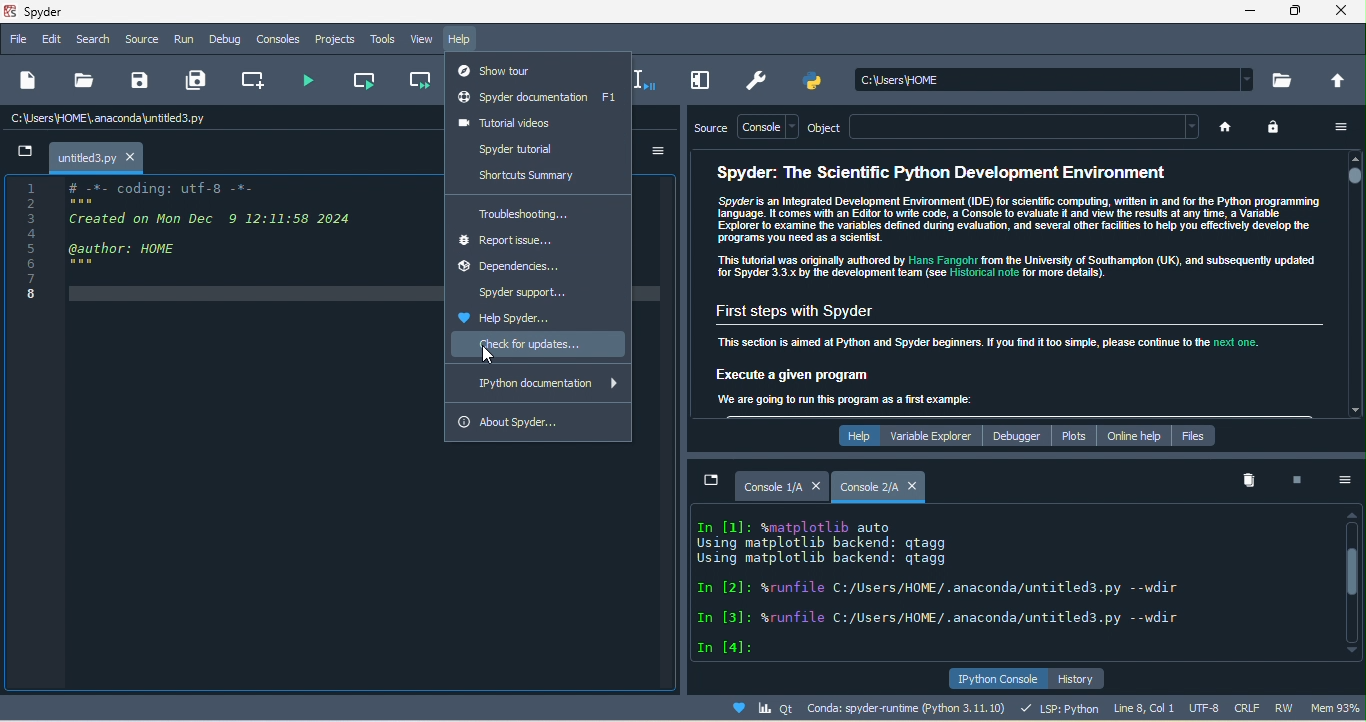  I want to click on gp GEROE TEED SS

5 Created on Mon Dec © 12:11:58 2624

H author: HOME

;
Ch, so click(234, 248).